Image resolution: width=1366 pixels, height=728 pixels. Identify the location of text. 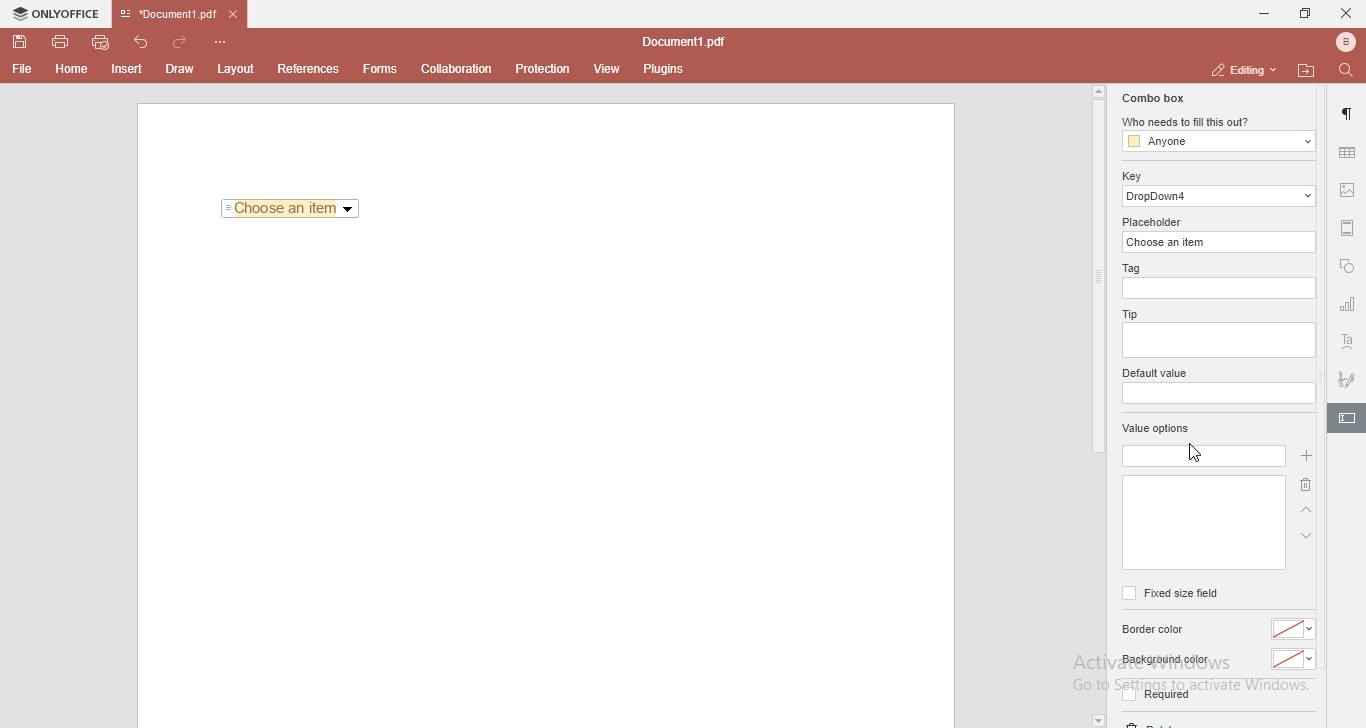
(1348, 343).